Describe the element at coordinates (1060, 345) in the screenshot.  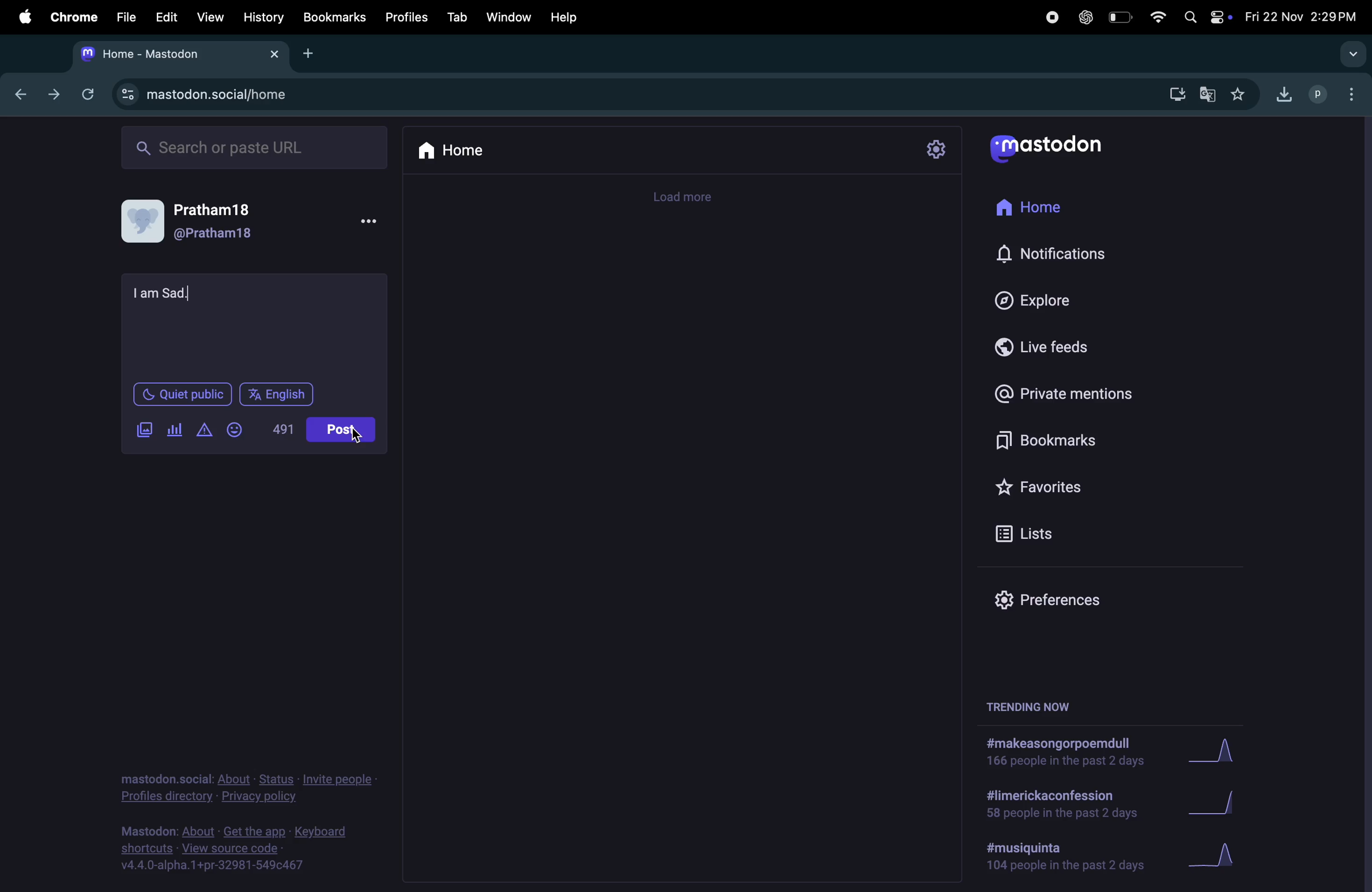
I see `live feed` at that location.